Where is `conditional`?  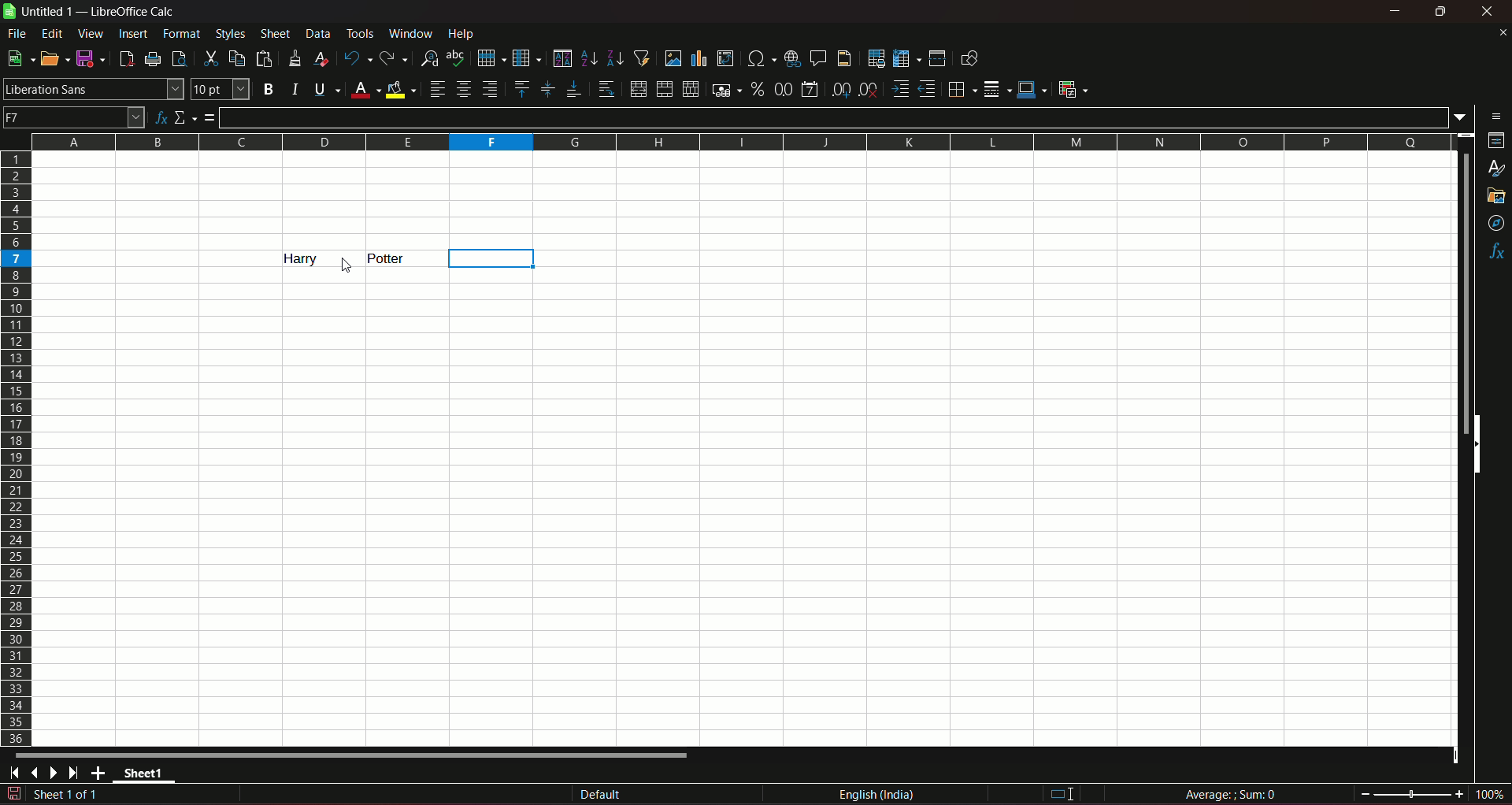 conditional is located at coordinates (1072, 88).